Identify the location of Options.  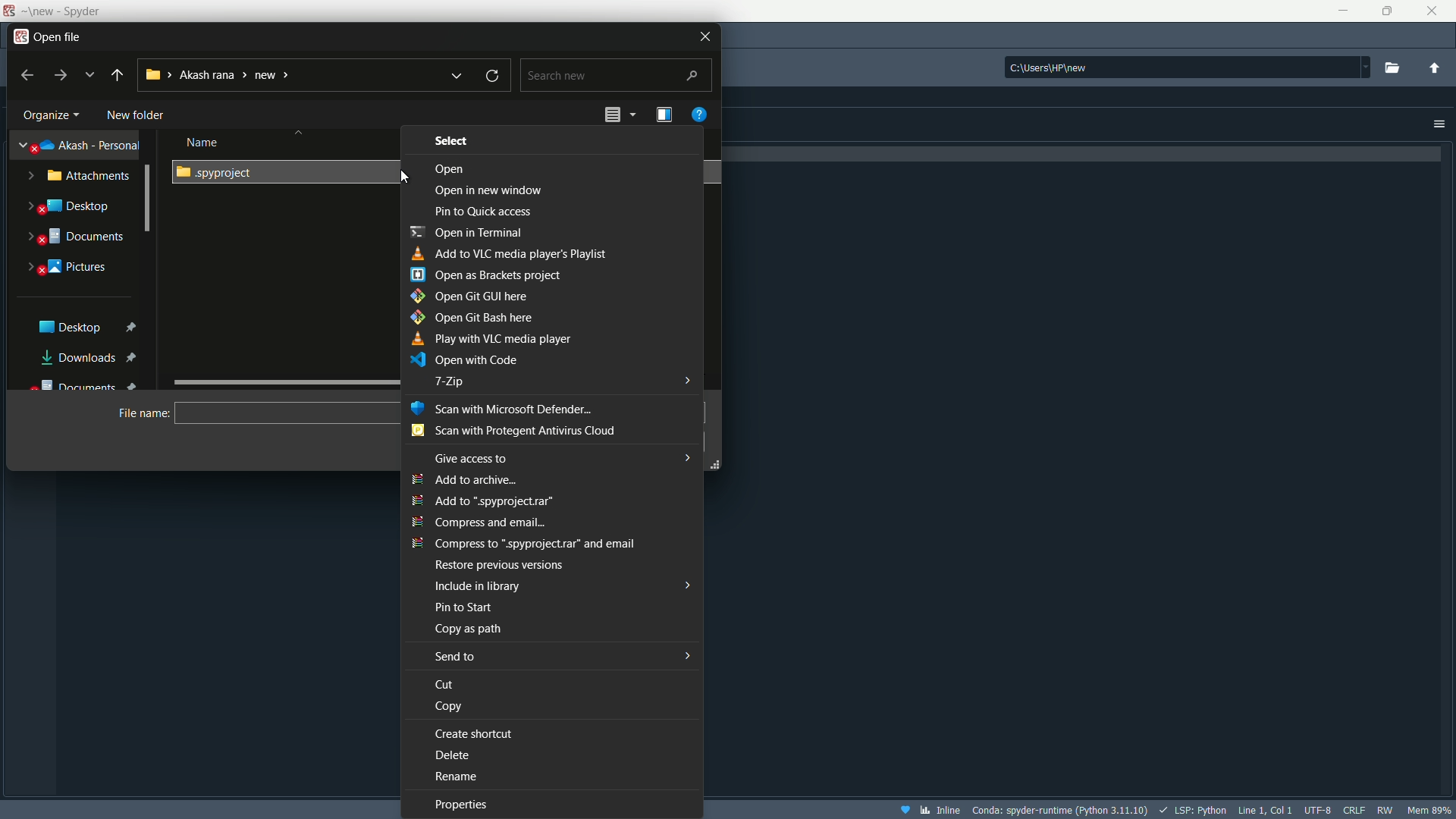
(1438, 123).